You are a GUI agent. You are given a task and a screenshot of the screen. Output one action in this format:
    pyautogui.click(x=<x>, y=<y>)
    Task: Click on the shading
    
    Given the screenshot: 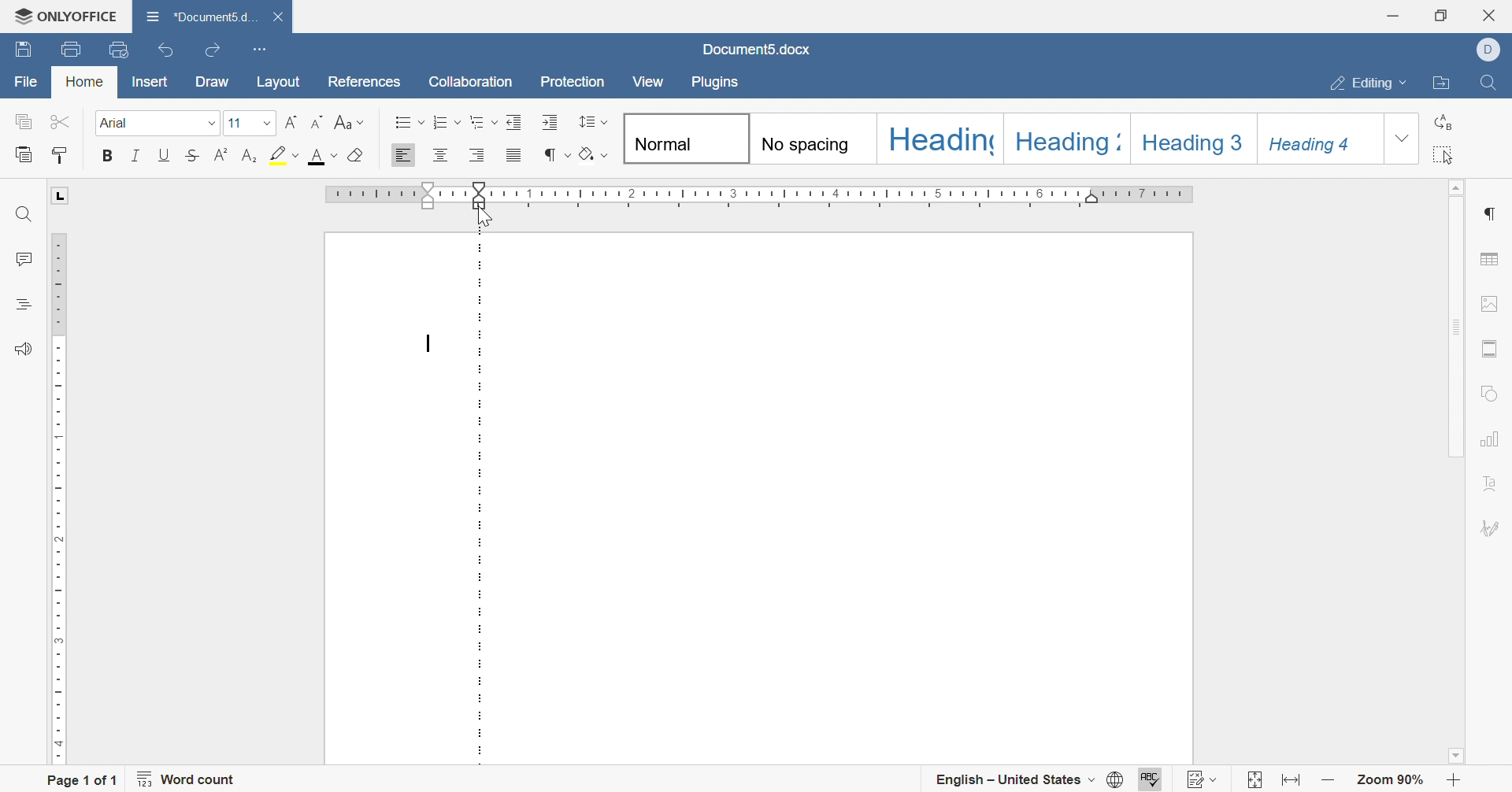 What is the action you would take?
    pyautogui.click(x=596, y=157)
    